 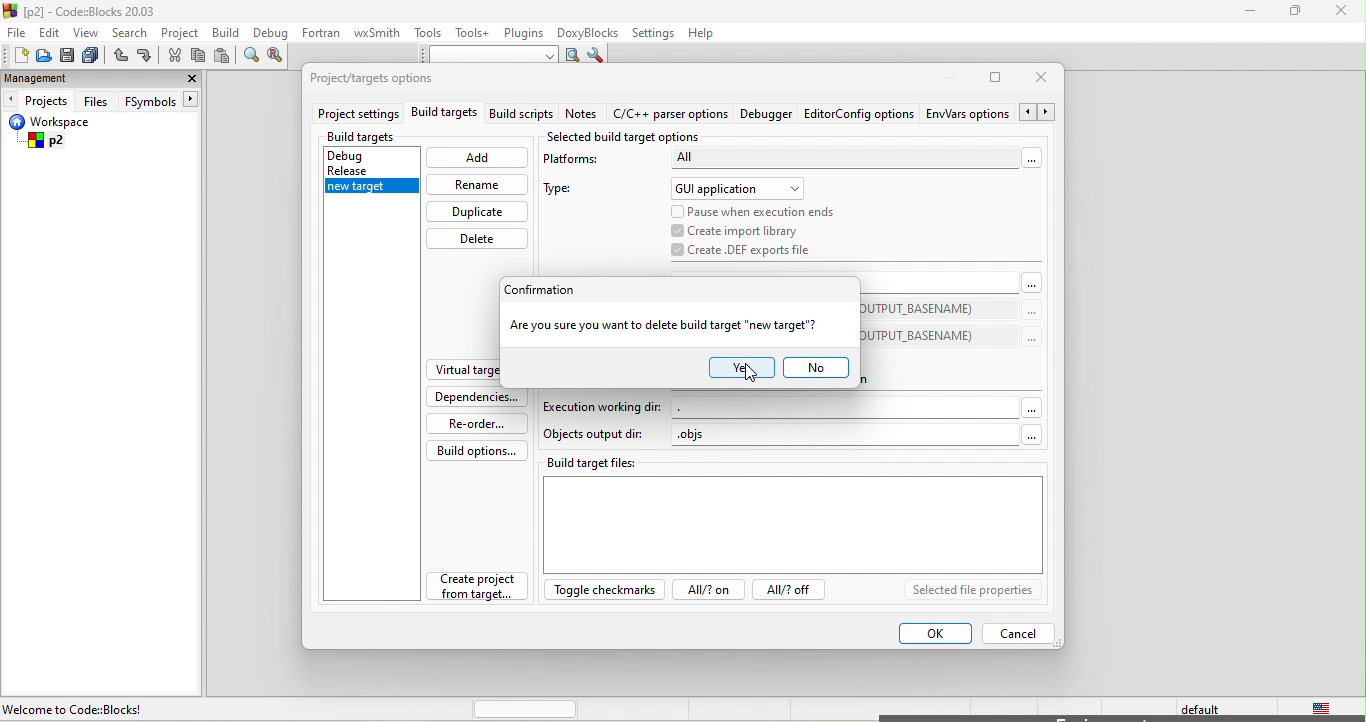 I want to click on edit, so click(x=51, y=34).